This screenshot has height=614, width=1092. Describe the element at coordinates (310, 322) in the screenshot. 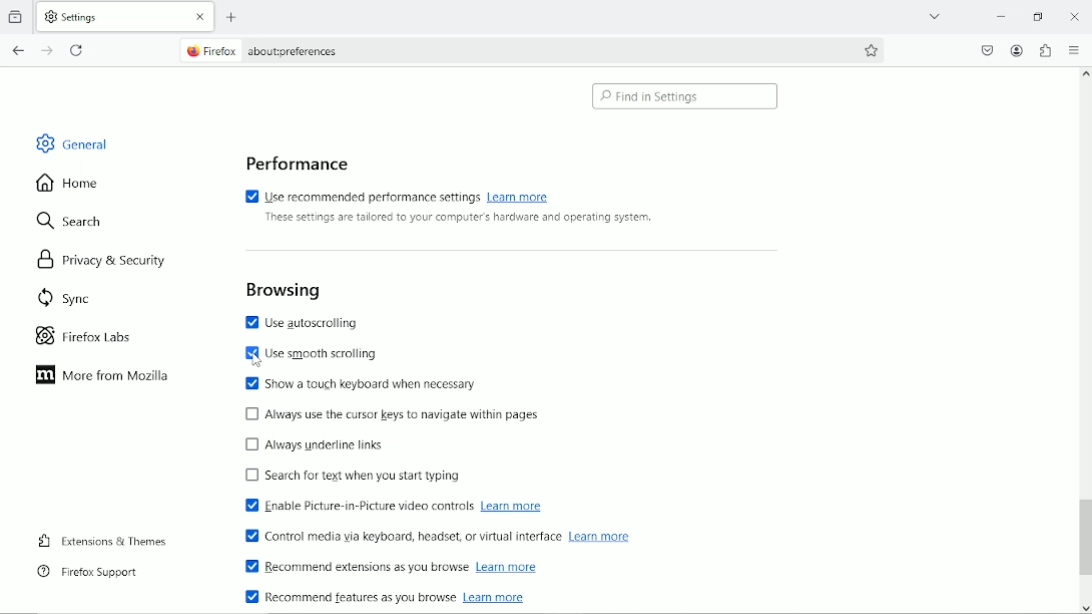

I see `Use autoscrolling` at that location.